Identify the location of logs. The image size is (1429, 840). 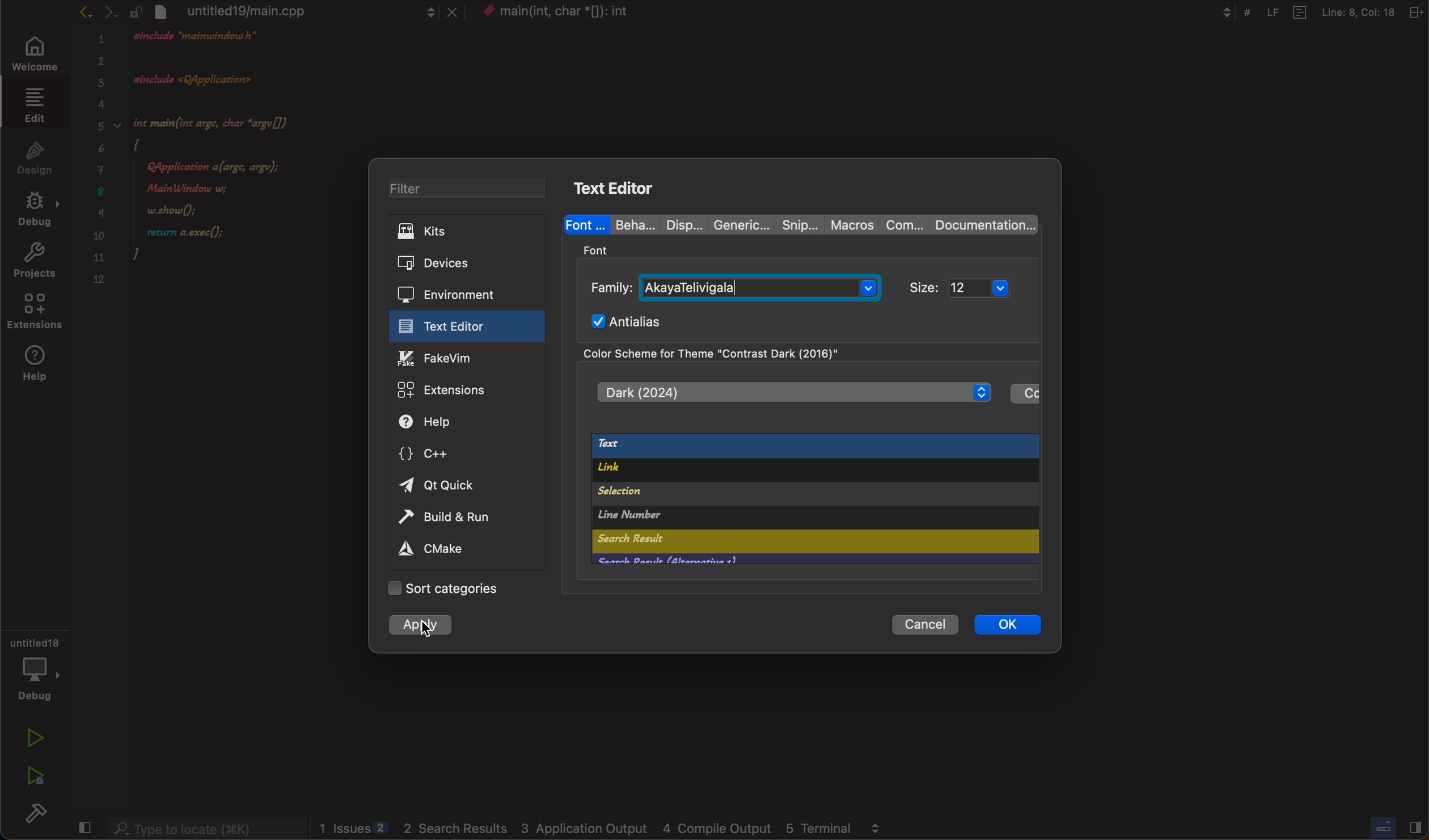
(605, 828).